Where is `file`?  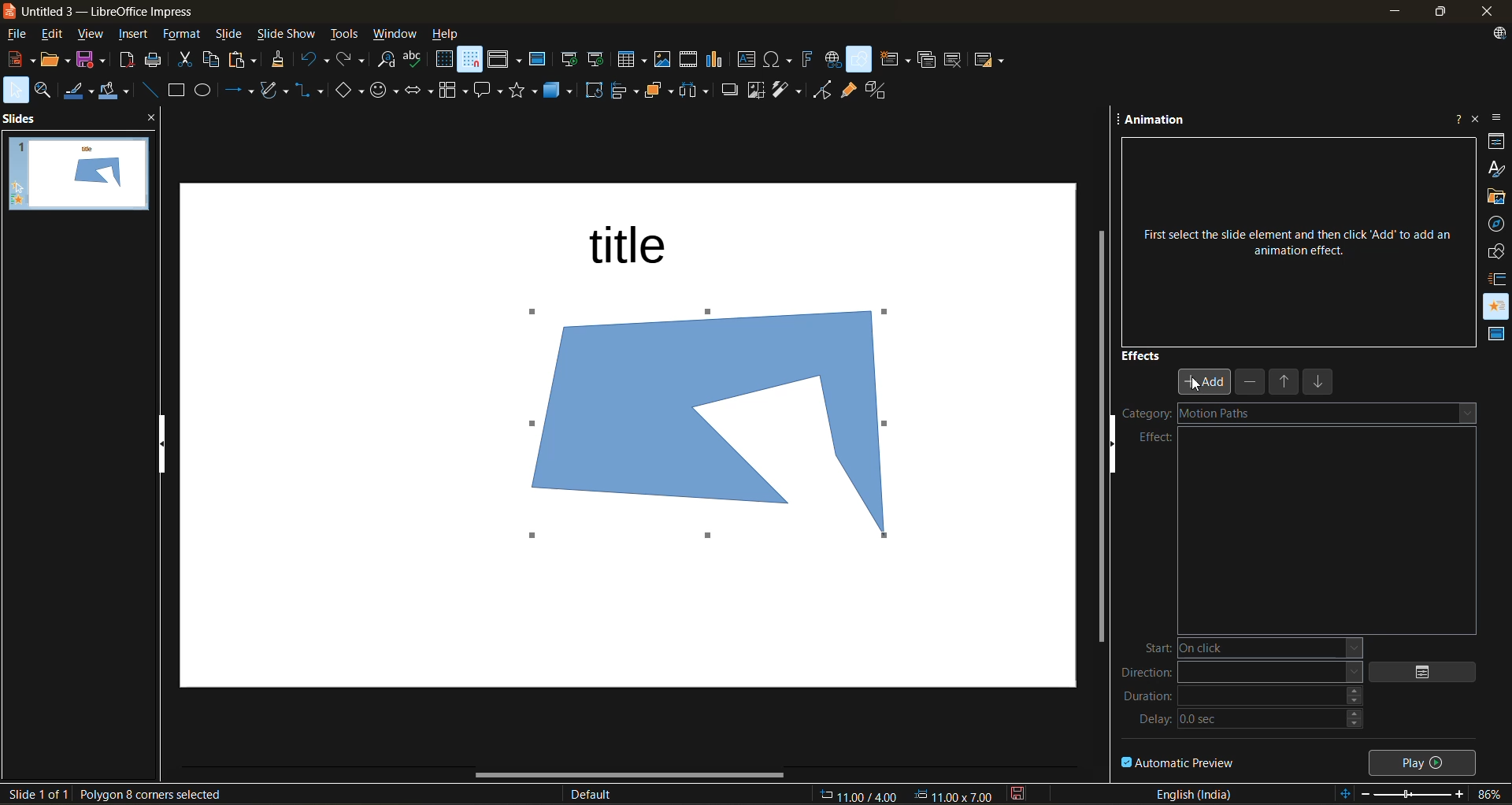 file is located at coordinates (16, 32).